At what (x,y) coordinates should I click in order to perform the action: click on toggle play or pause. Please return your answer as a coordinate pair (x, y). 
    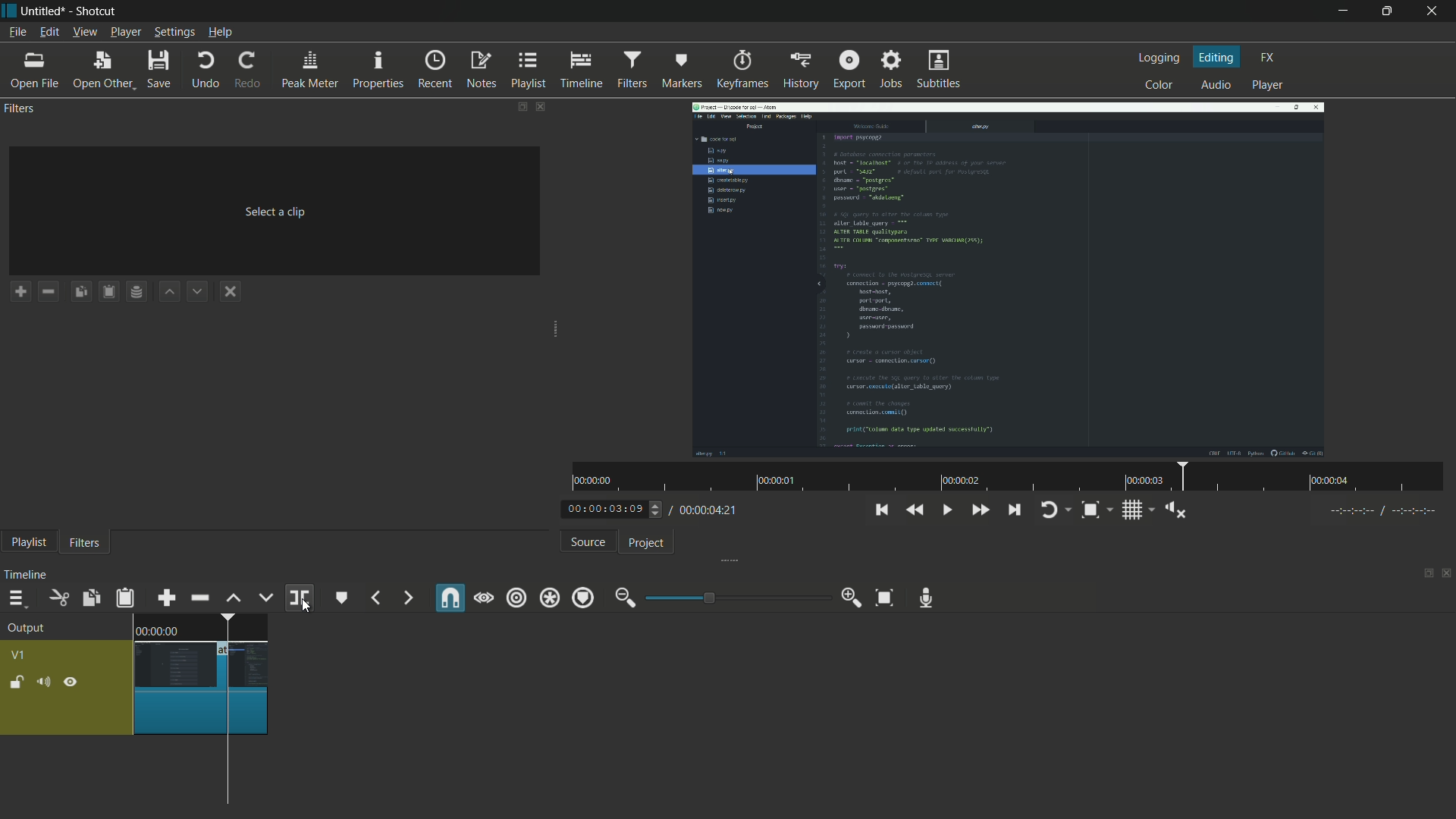
    Looking at the image, I should click on (947, 510).